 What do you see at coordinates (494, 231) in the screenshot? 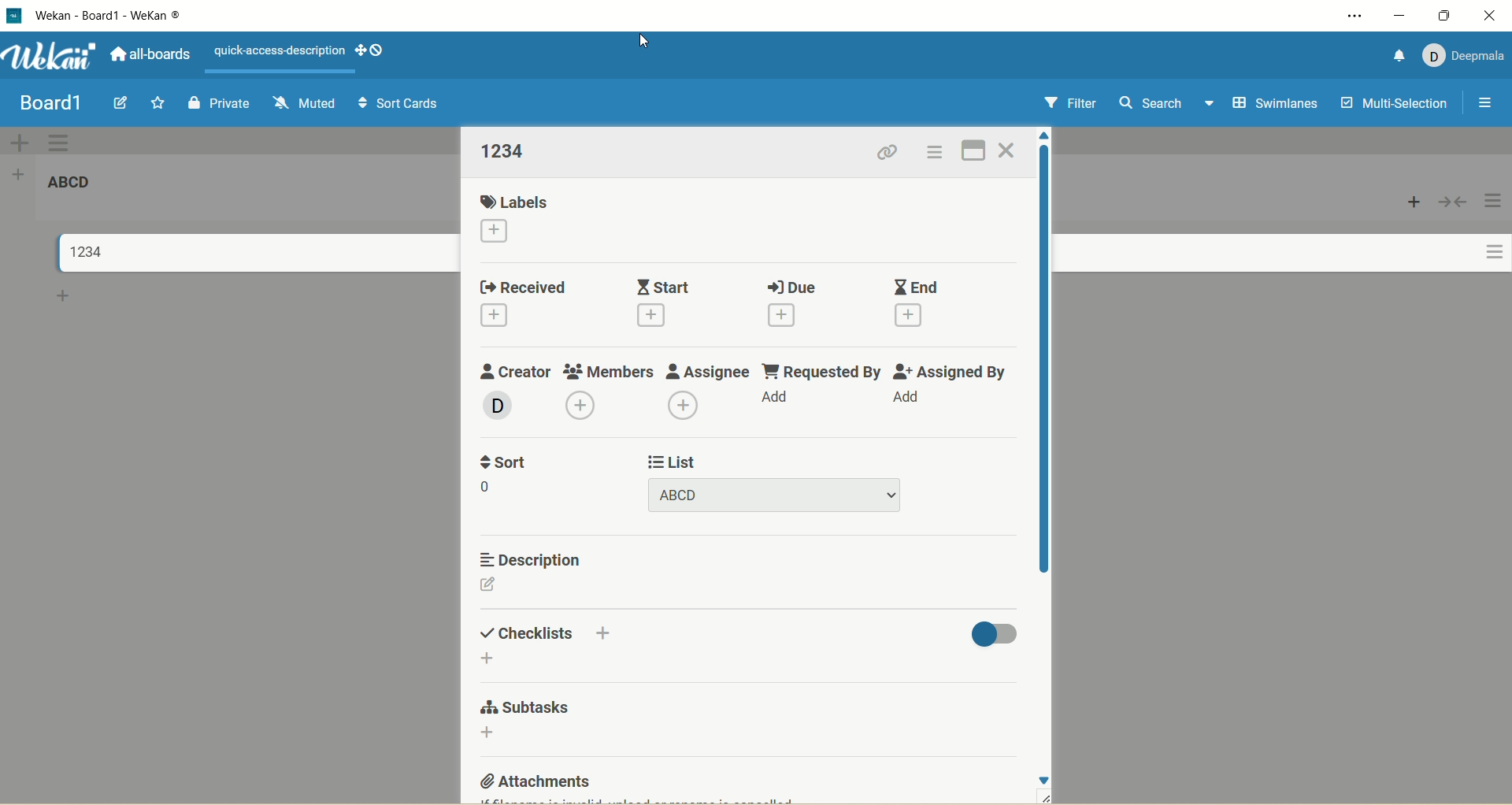
I see `add` at bounding box center [494, 231].